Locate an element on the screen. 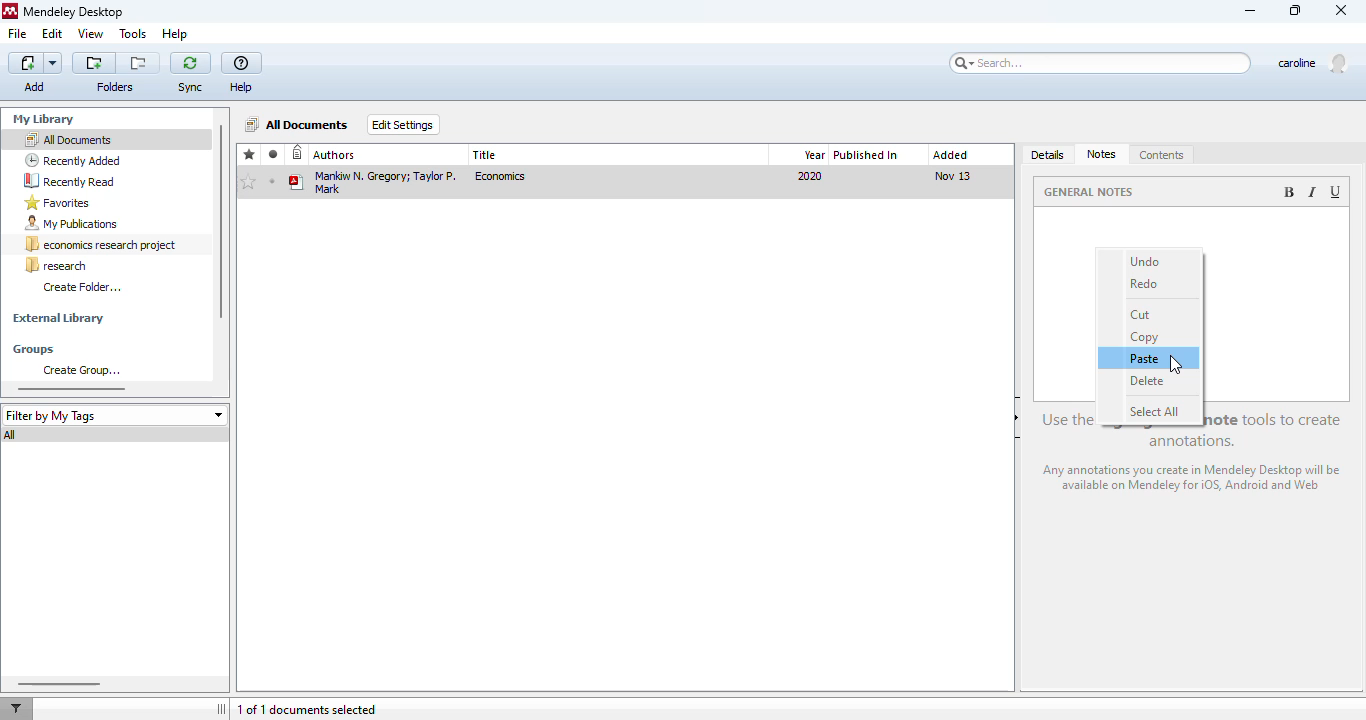 The height and width of the screenshot is (720, 1366). Sync is located at coordinates (191, 88).